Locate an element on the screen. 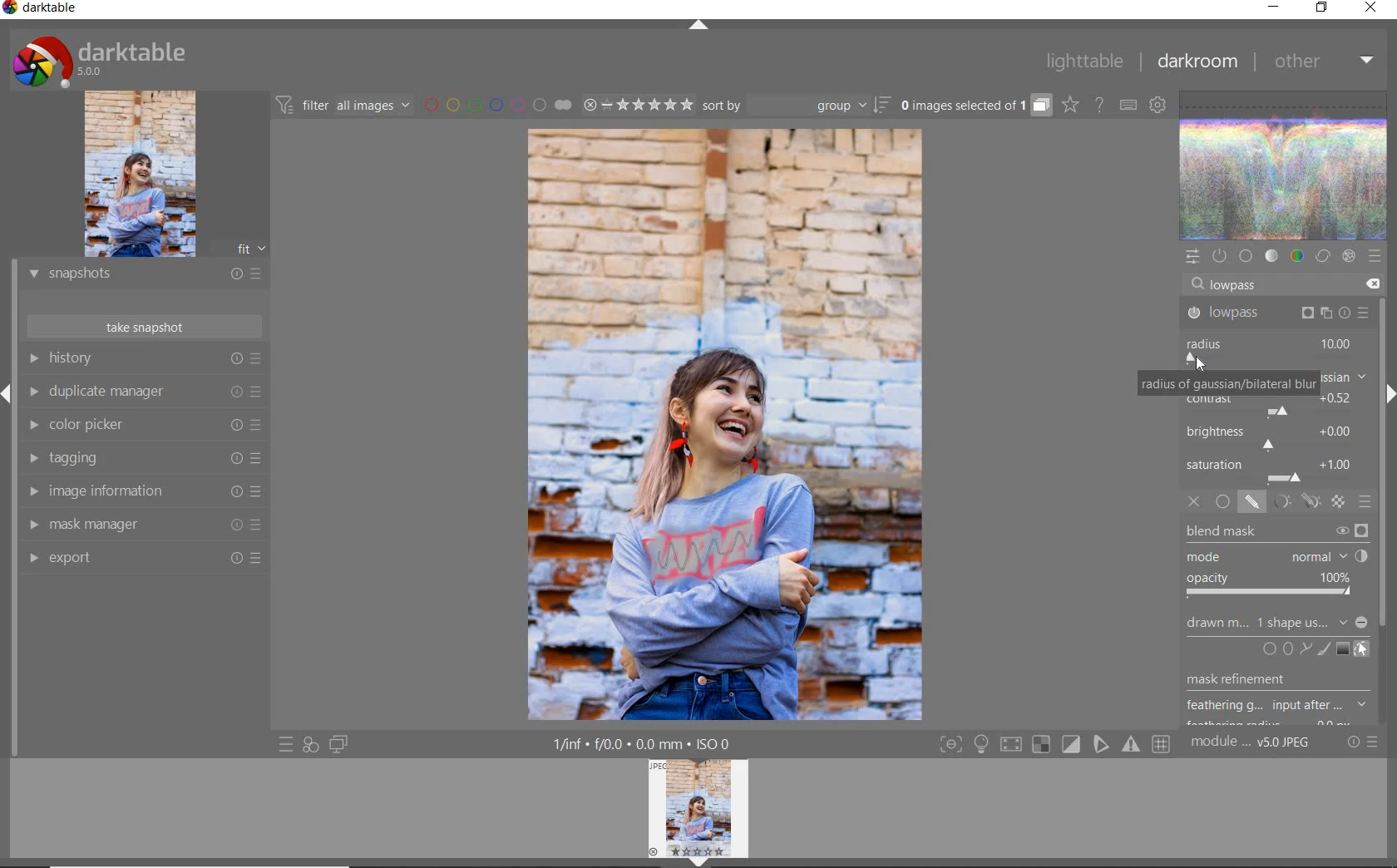  minimize is located at coordinates (1275, 8).